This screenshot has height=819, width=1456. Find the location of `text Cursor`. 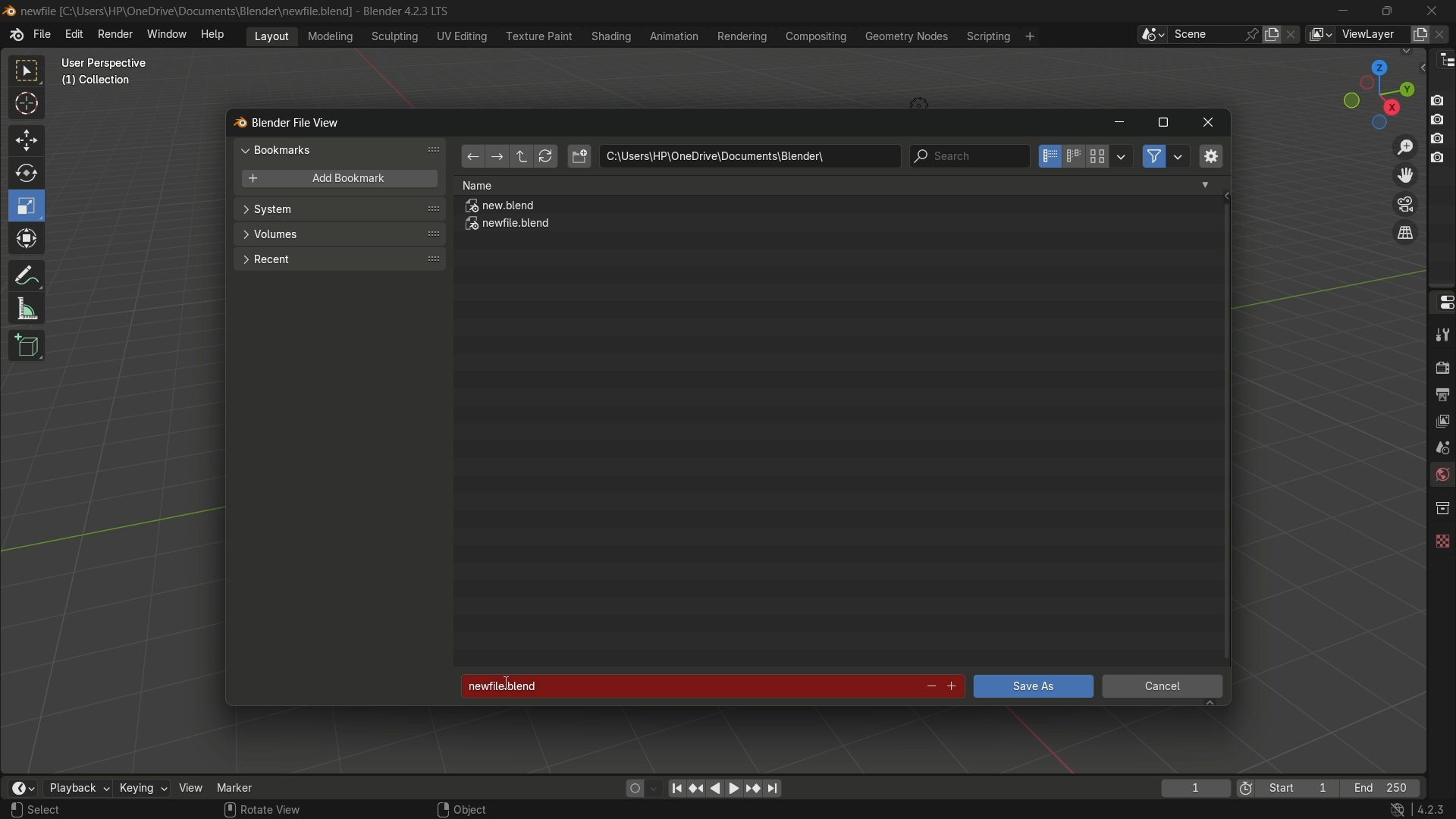

text Cursor is located at coordinates (512, 684).